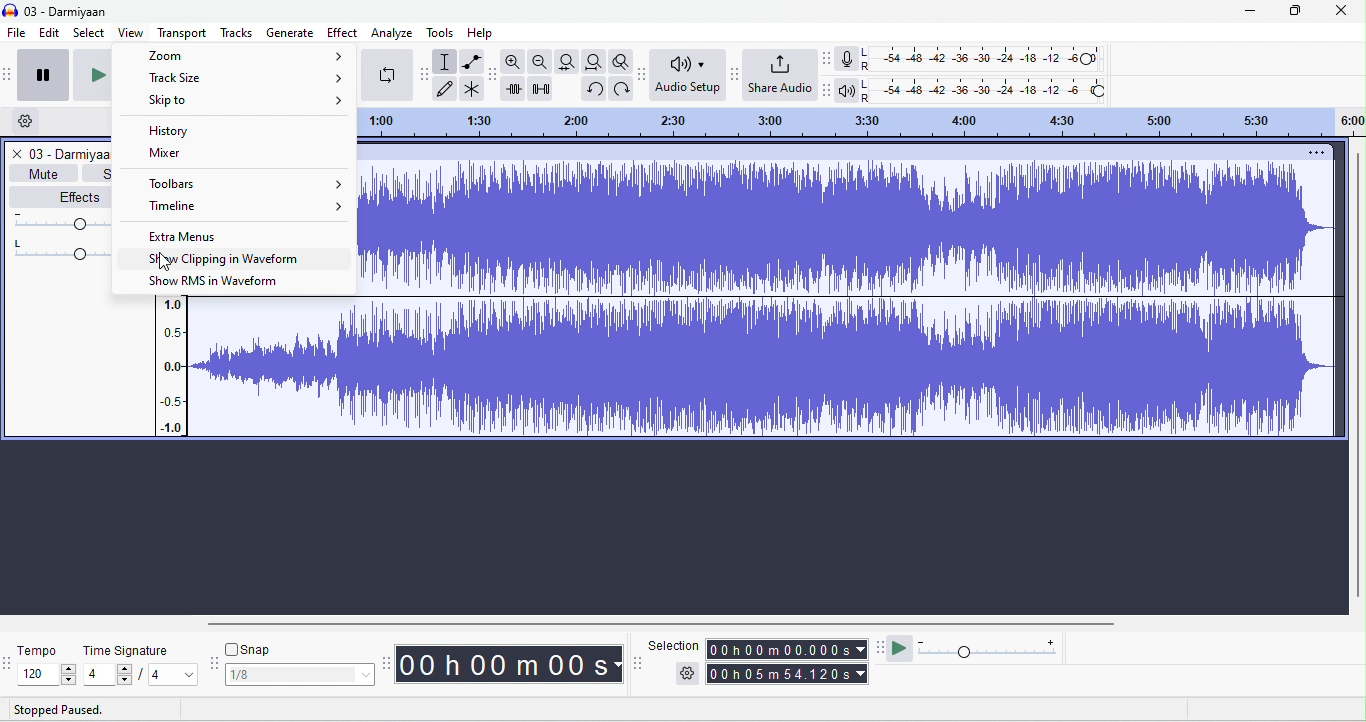  Describe the element at coordinates (1001, 93) in the screenshot. I see `playback level` at that location.